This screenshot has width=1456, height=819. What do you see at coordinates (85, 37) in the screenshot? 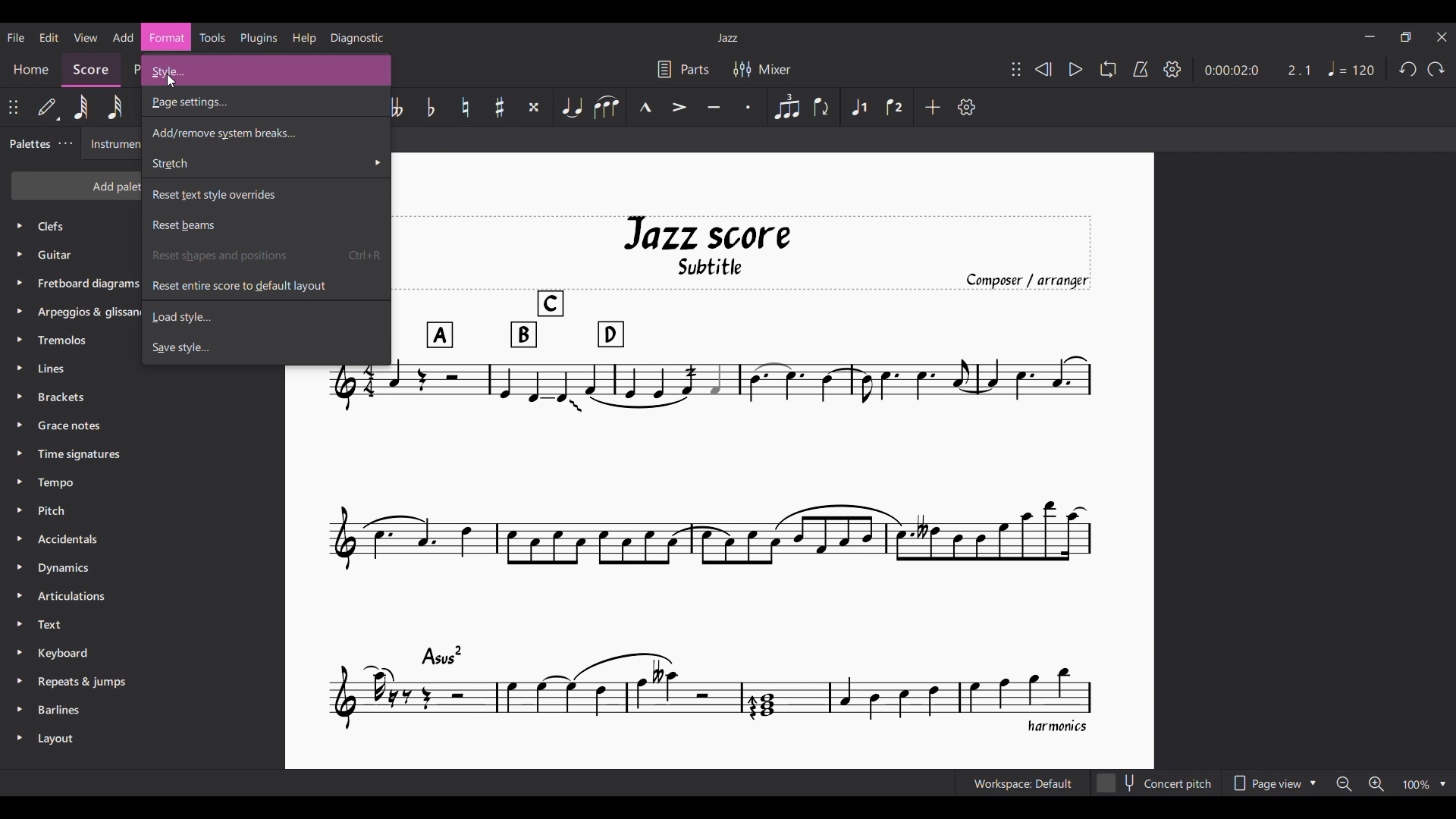
I see `View menu` at bounding box center [85, 37].